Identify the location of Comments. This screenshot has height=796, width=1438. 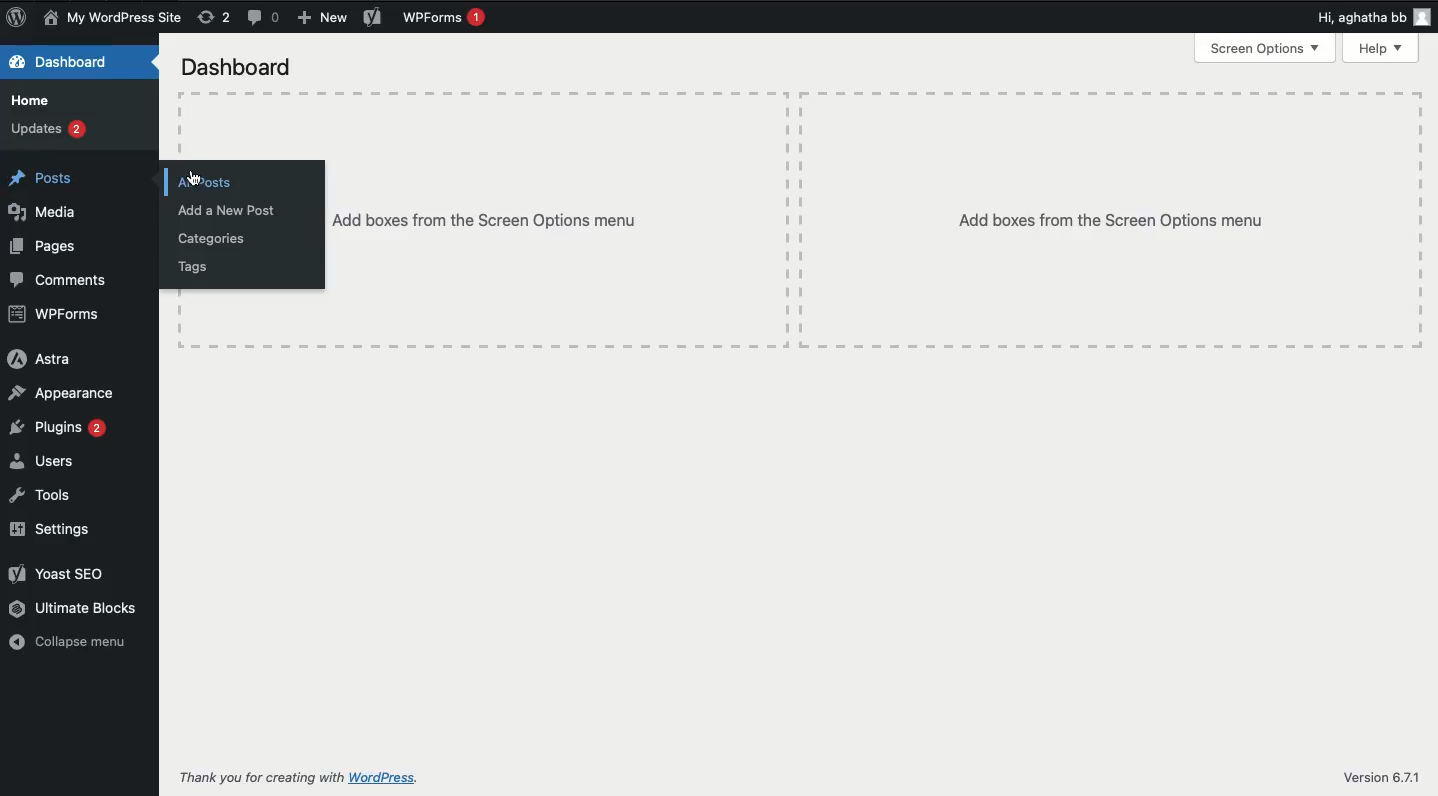
(264, 18).